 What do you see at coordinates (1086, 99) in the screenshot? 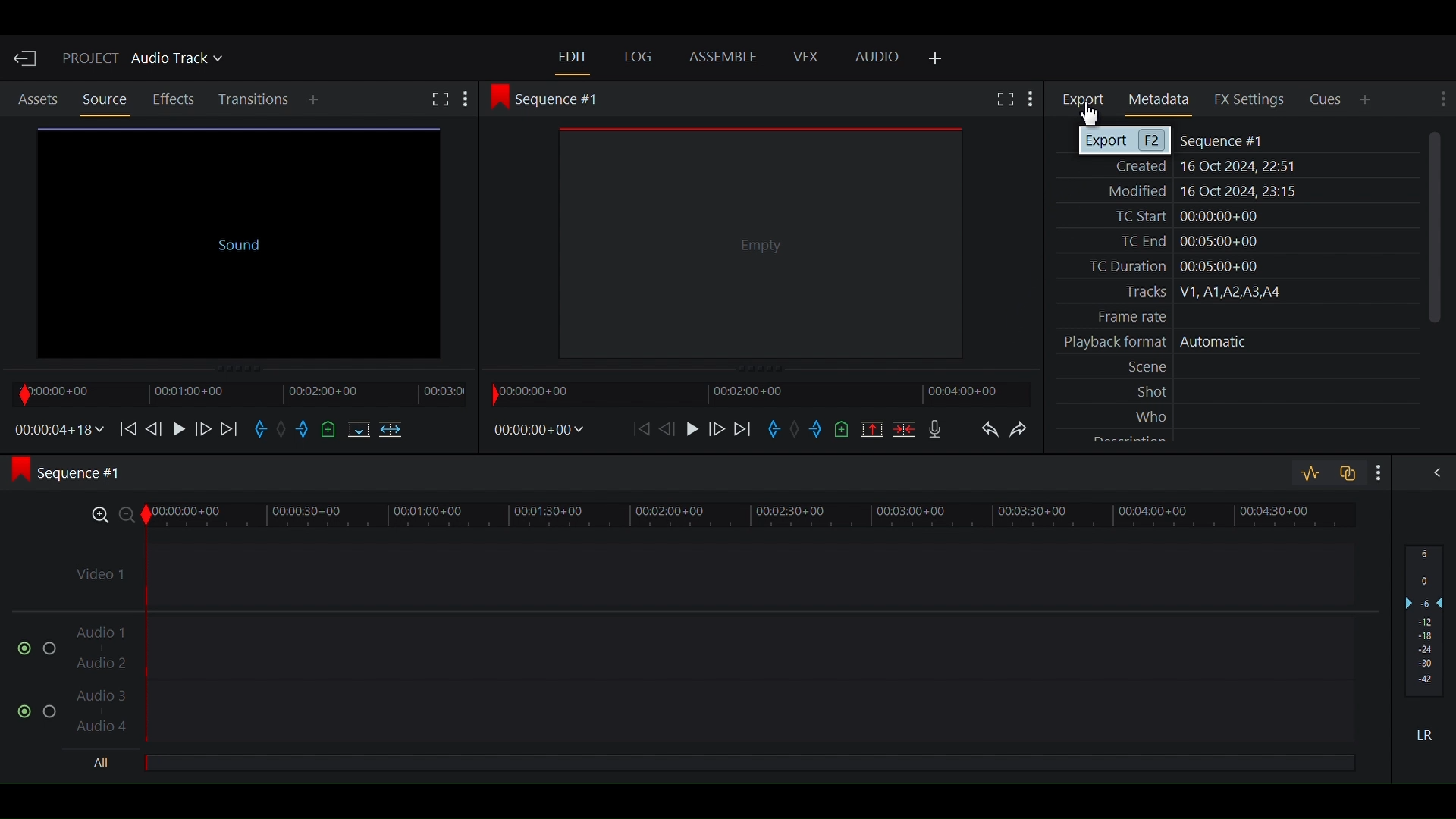
I see `Export` at bounding box center [1086, 99].